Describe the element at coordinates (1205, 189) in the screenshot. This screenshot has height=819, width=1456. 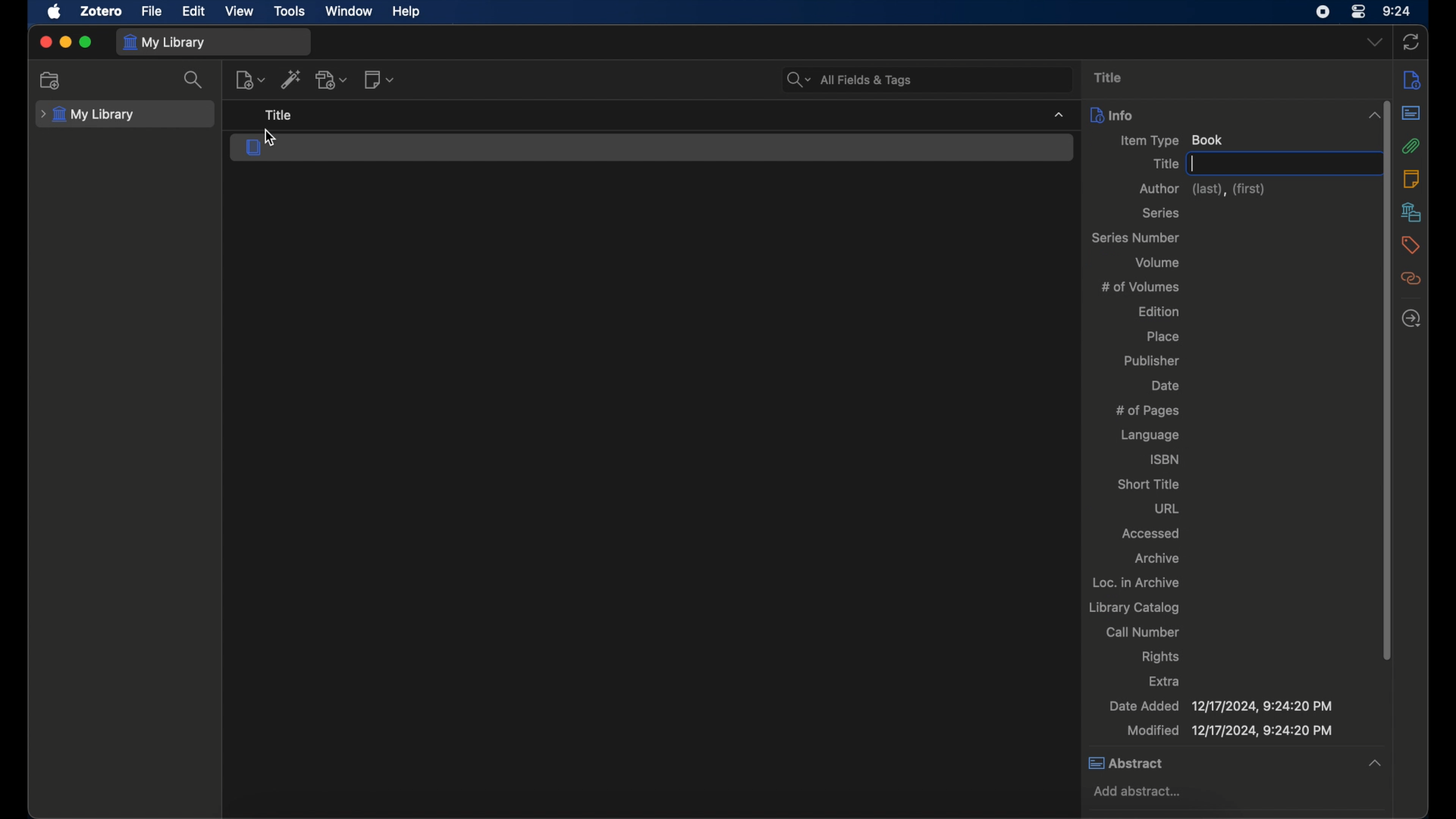
I see `author` at that location.